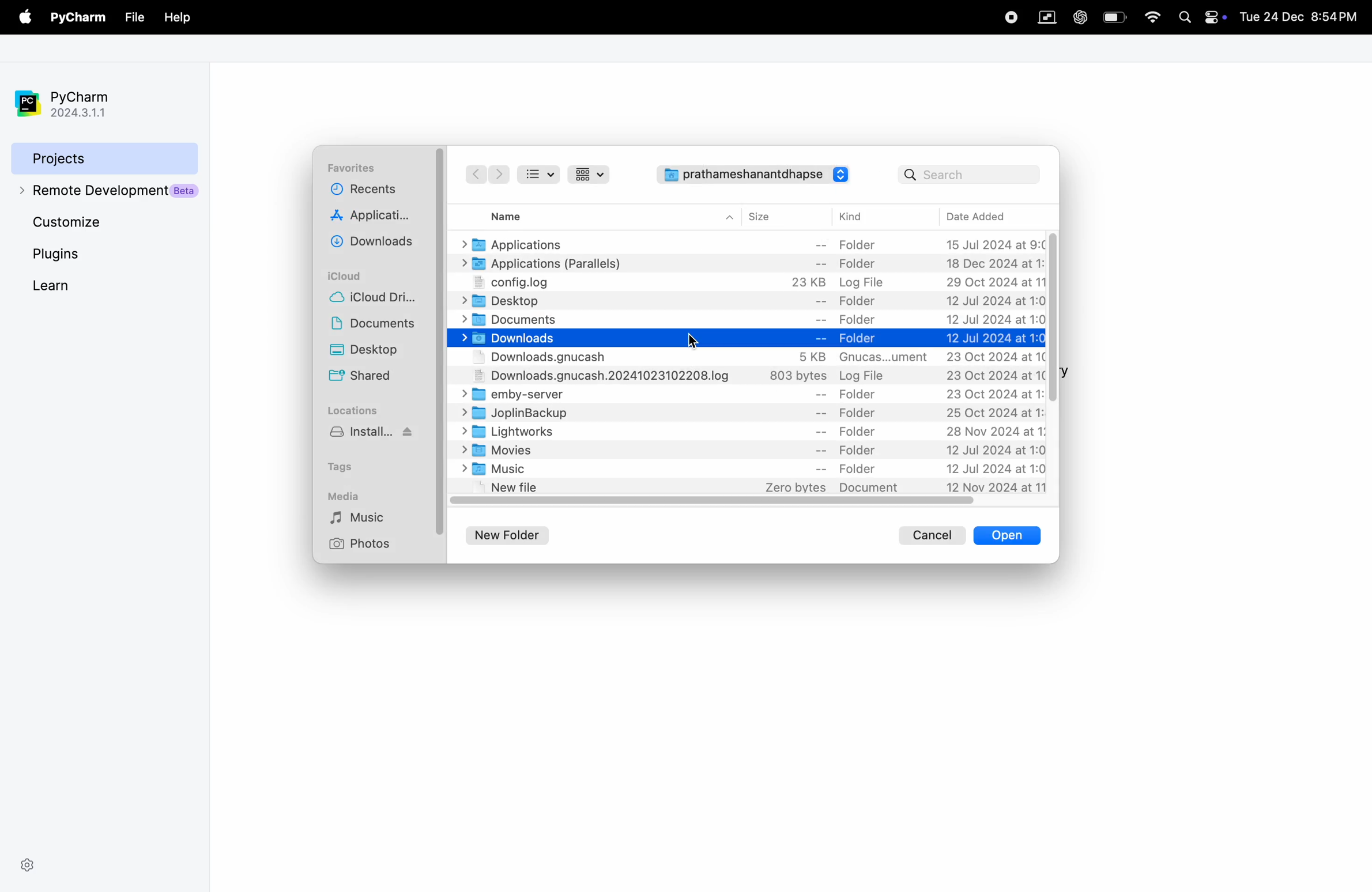 This screenshot has height=892, width=1372. I want to click on backward, so click(474, 174).